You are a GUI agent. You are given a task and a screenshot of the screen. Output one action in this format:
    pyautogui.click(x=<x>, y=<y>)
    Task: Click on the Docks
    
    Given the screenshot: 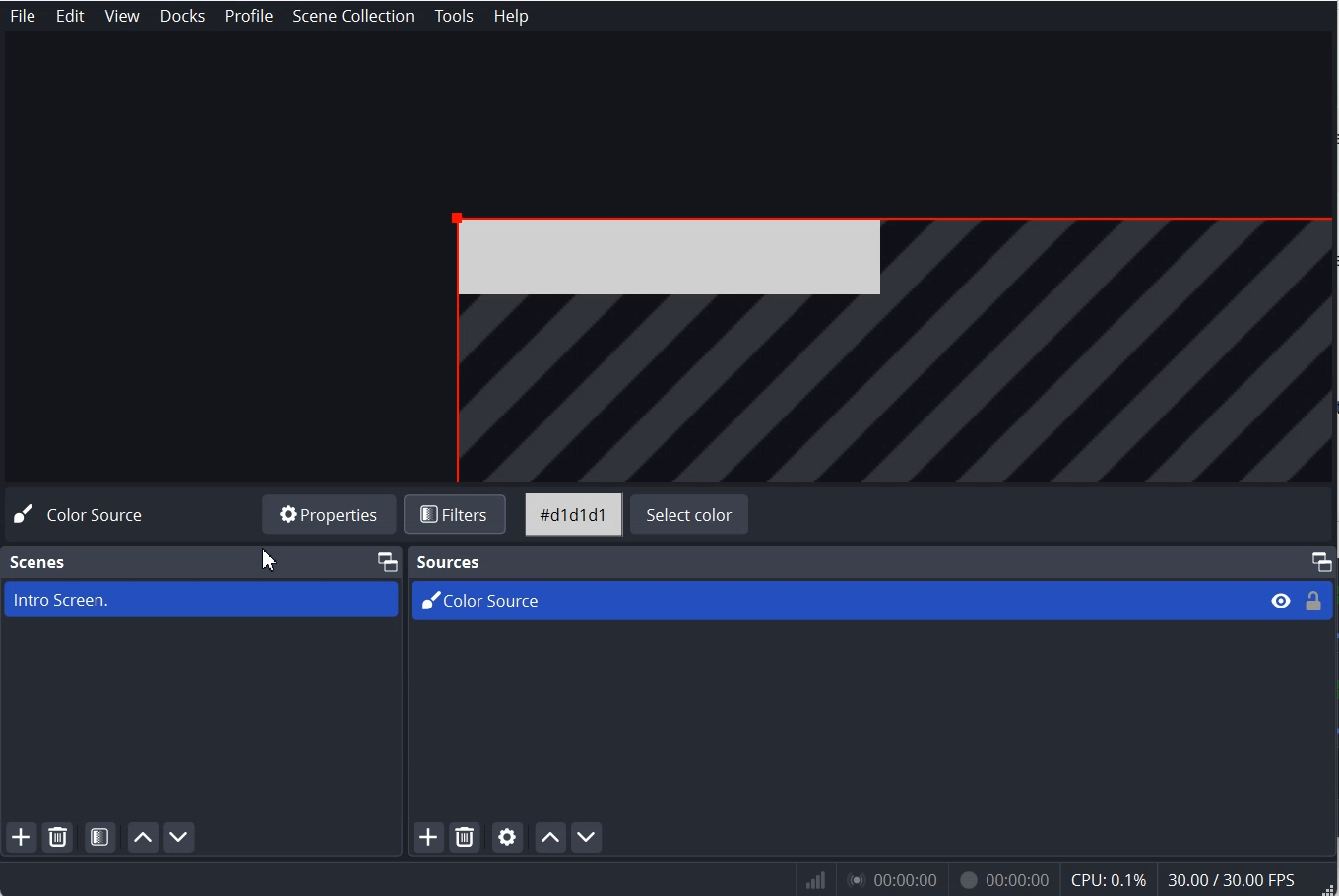 What is the action you would take?
    pyautogui.click(x=184, y=16)
    